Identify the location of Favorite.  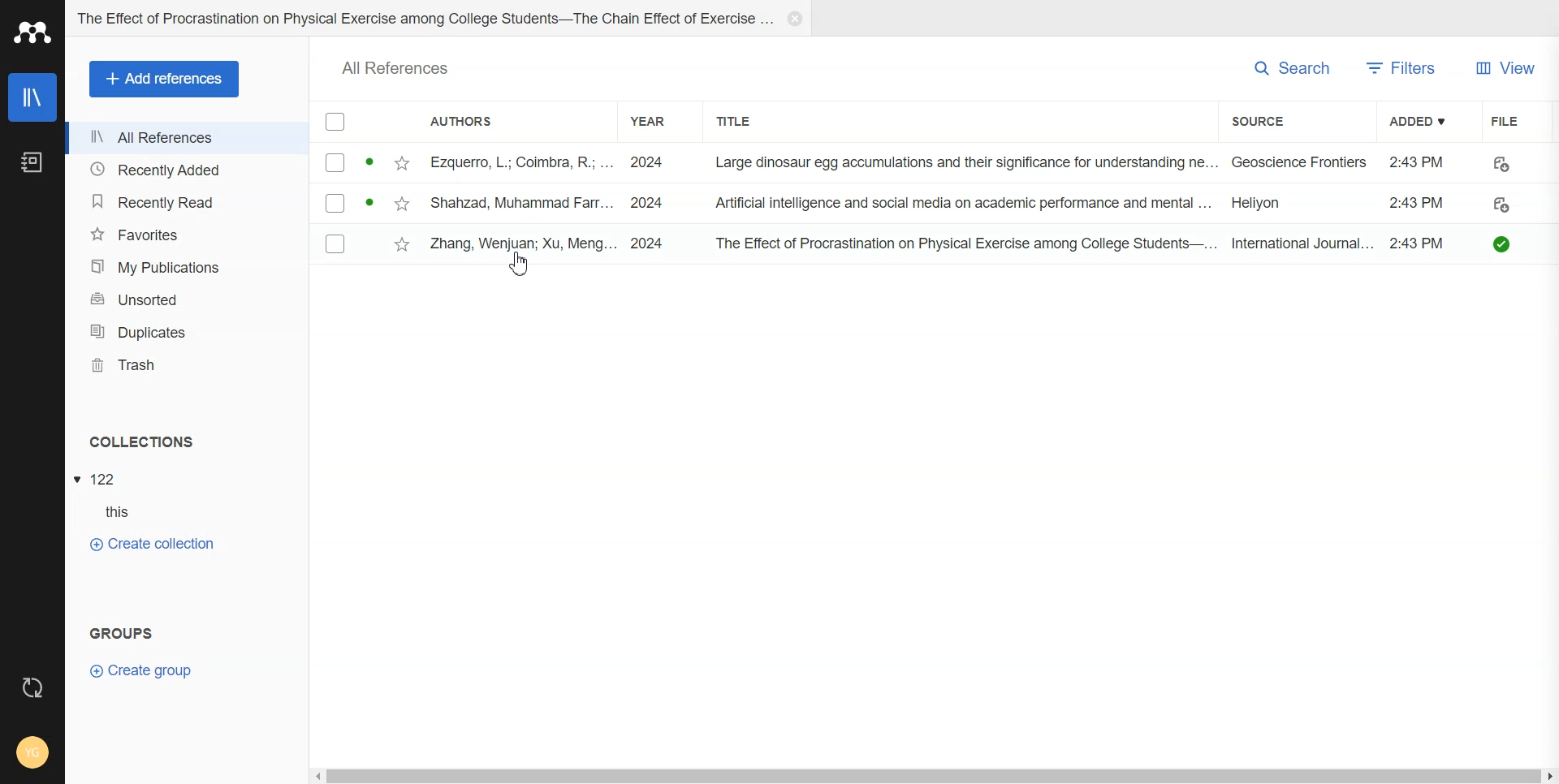
(403, 239).